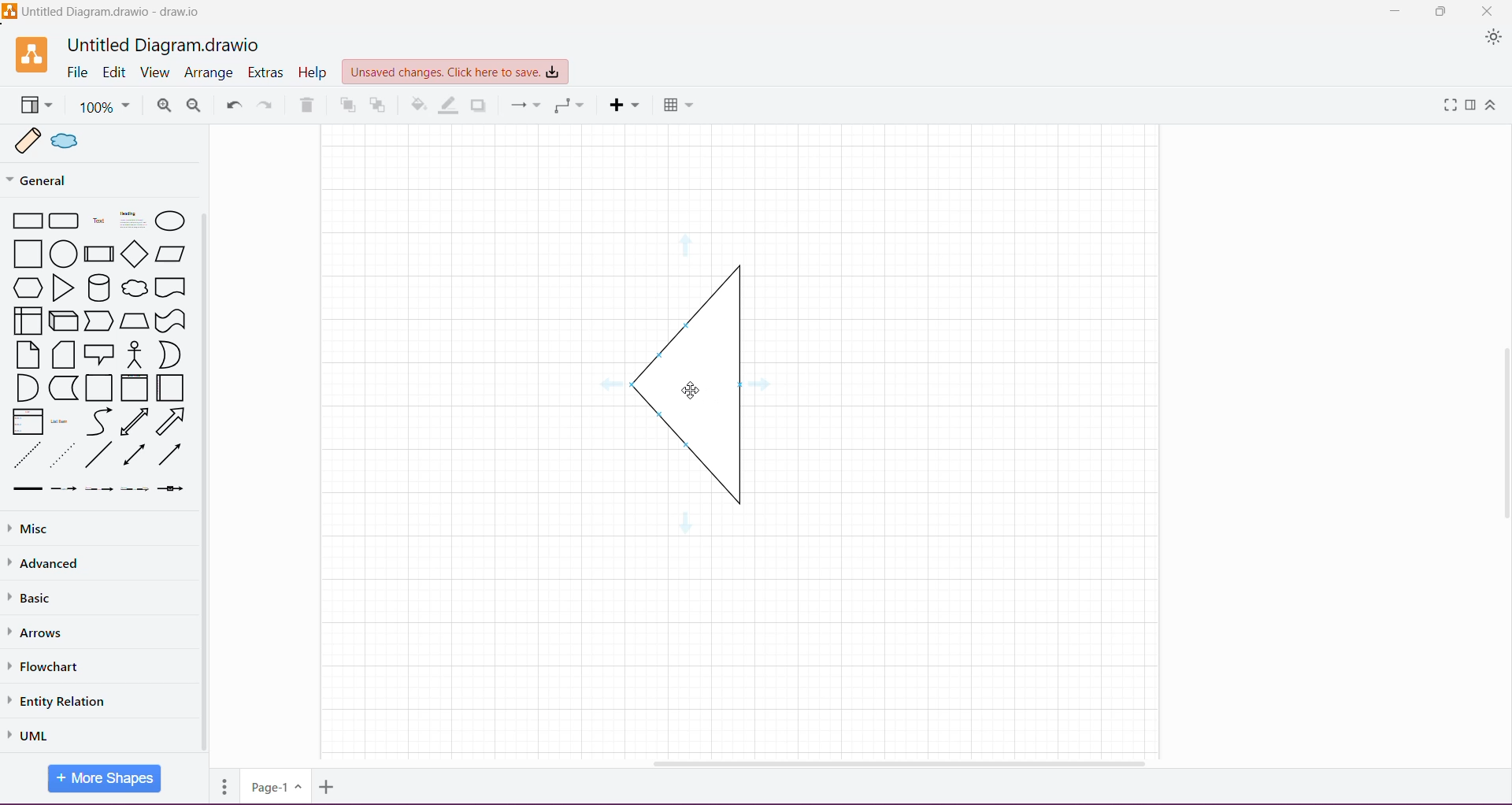 Image resolution: width=1512 pixels, height=805 pixels. What do you see at coordinates (45, 667) in the screenshot?
I see `Flowchart` at bounding box center [45, 667].